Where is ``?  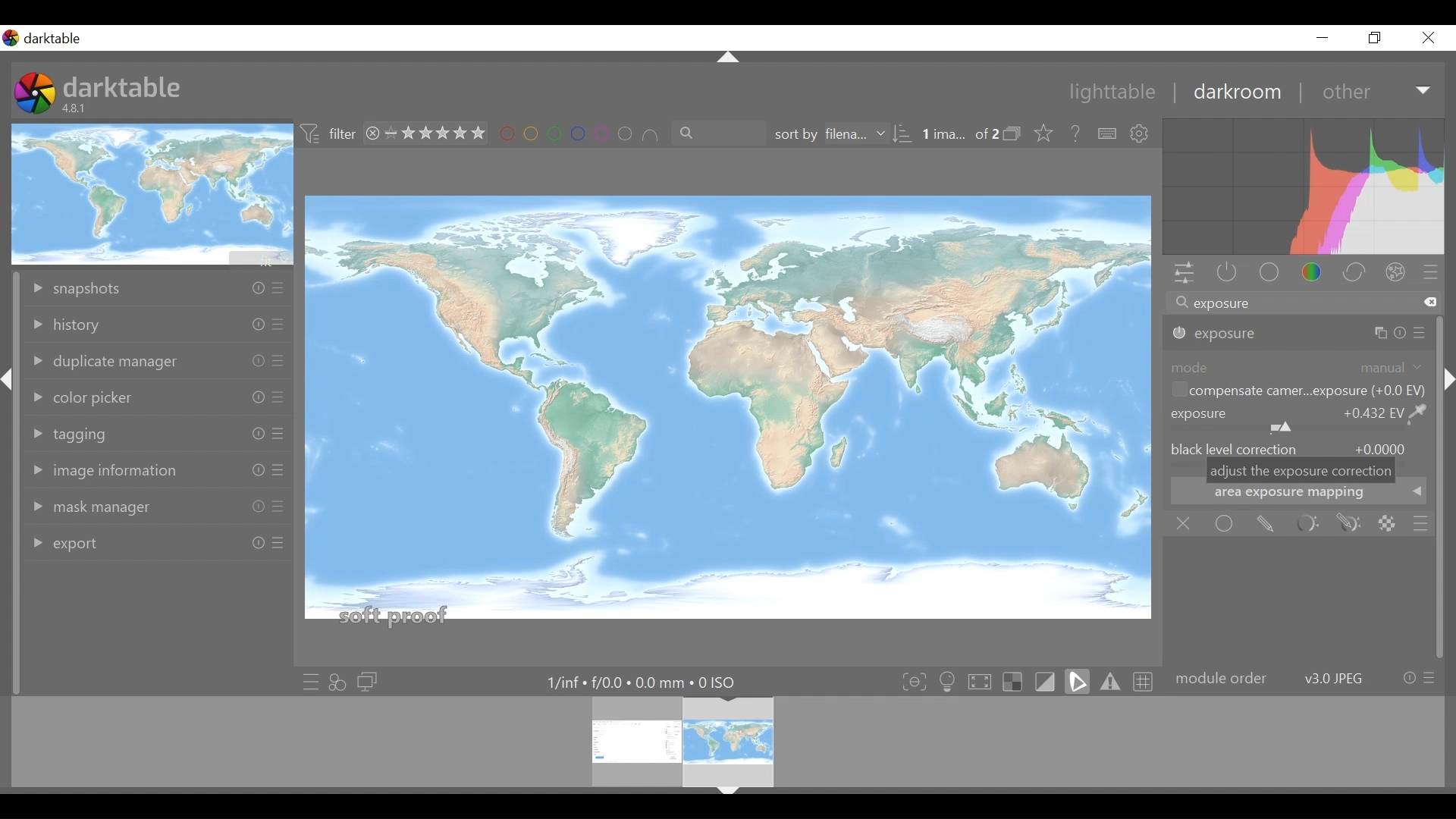  is located at coordinates (1349, 524).